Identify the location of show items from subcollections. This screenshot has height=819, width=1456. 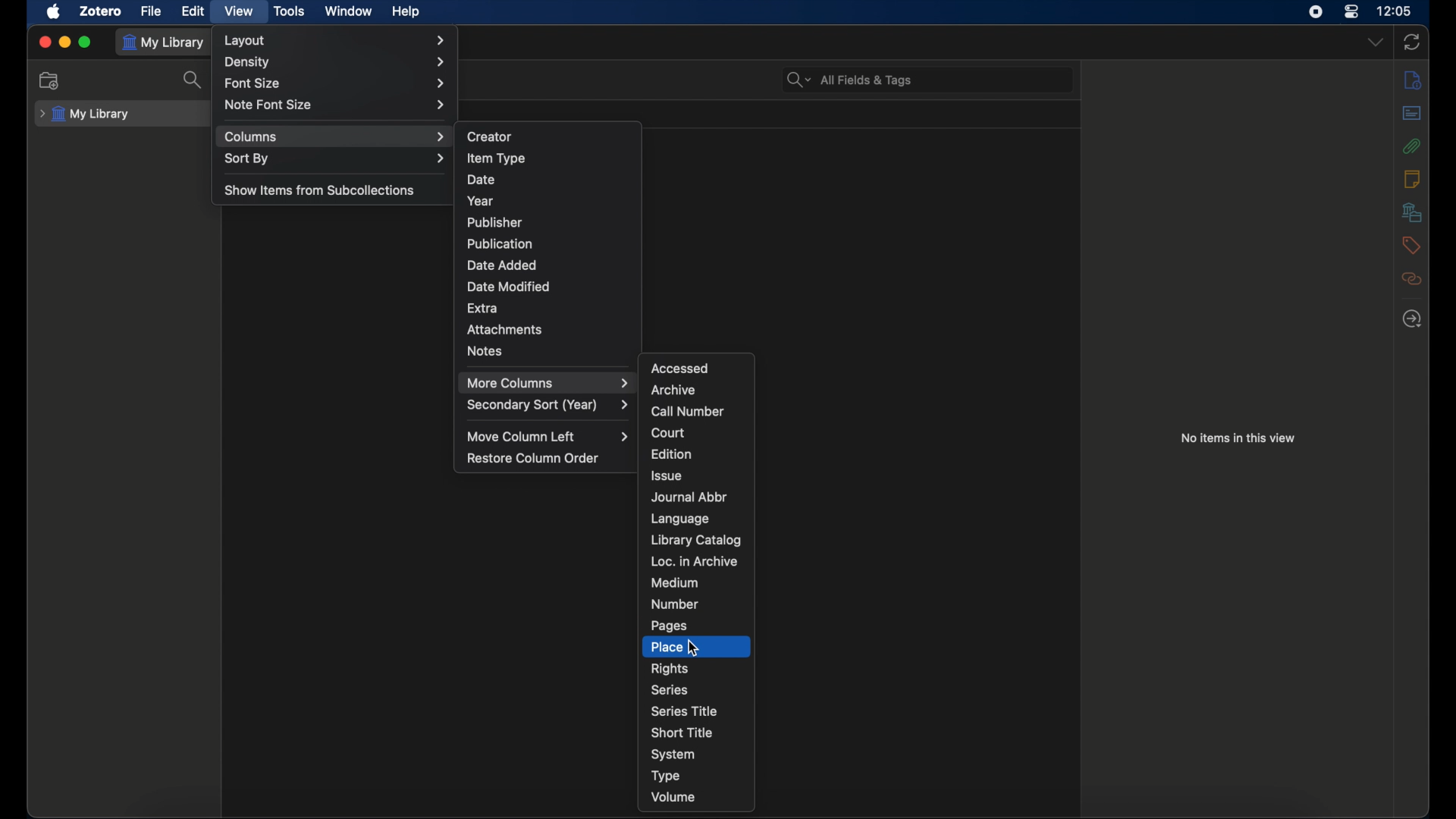
(322, 190).